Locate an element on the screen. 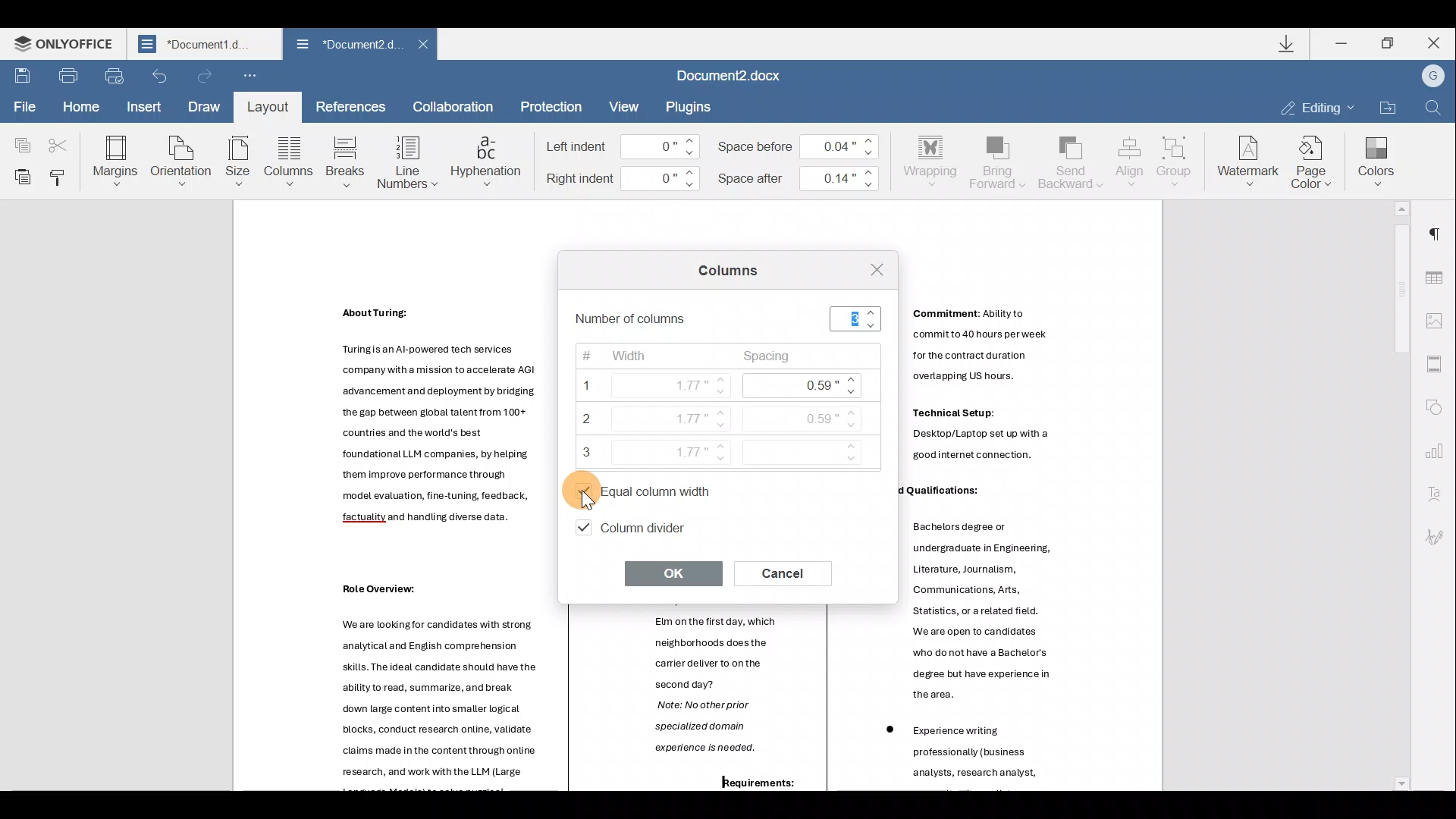 The height and width of the screenshot is (819, 1456). Image settings is located at coordinates (1439, 319).